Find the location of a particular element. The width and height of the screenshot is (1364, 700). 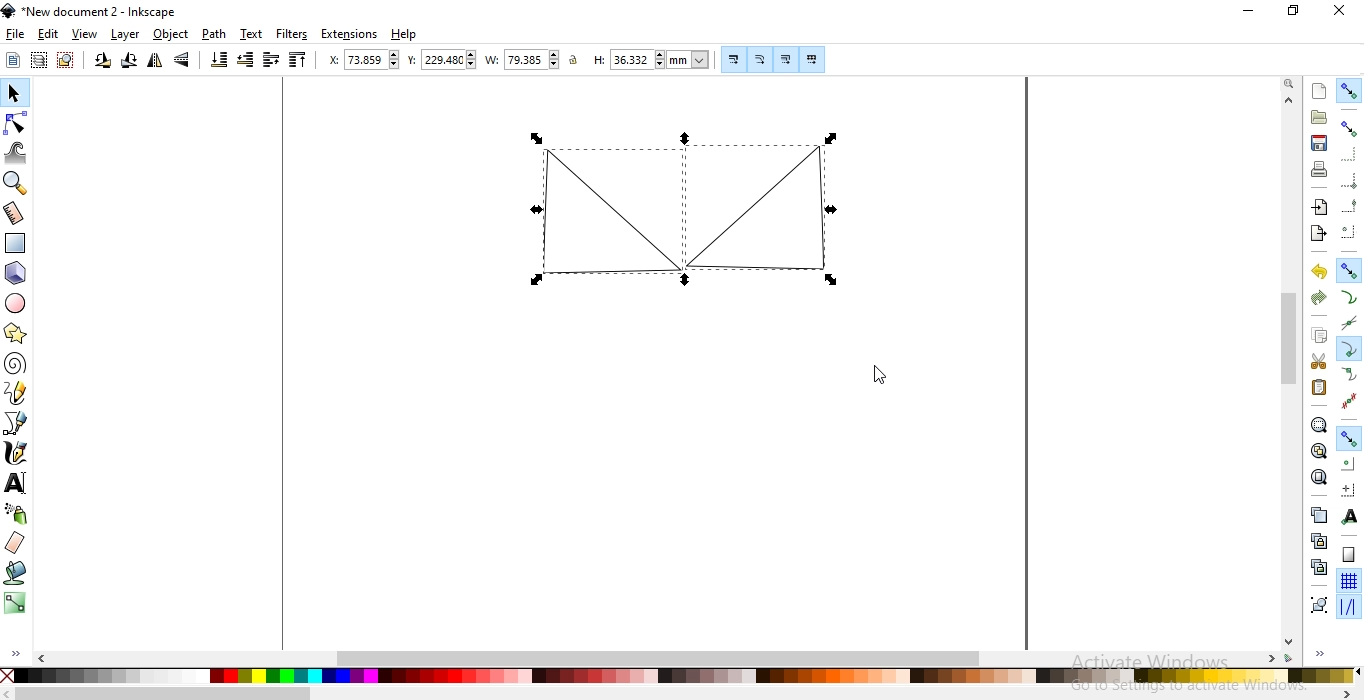

measurement tool is located at coordinates (15, 212).